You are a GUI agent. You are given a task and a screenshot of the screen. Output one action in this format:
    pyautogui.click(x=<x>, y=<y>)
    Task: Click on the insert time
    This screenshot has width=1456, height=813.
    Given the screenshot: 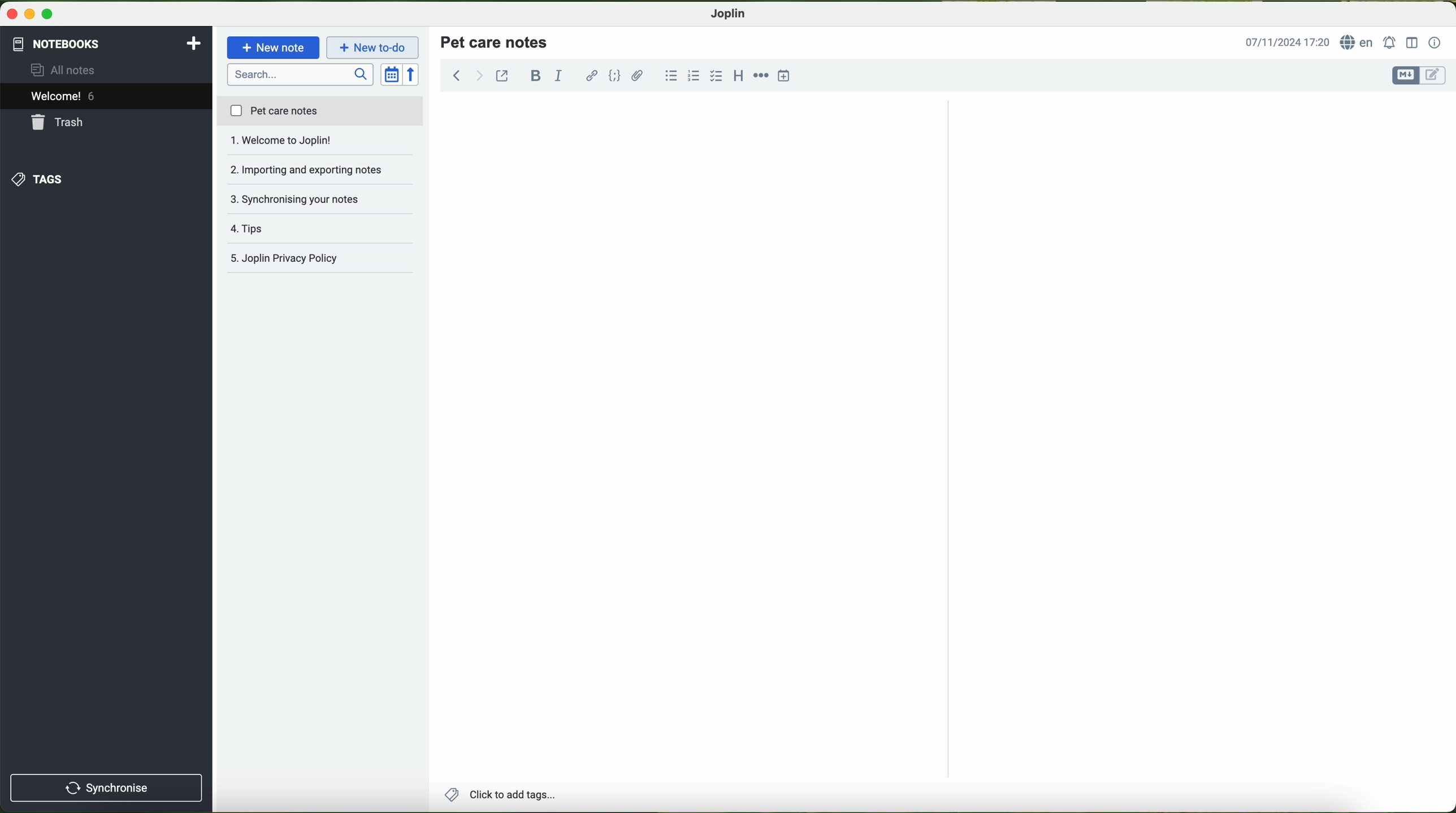 What is the action you would take?
    pyautogui.click(x=785, y=75)
    